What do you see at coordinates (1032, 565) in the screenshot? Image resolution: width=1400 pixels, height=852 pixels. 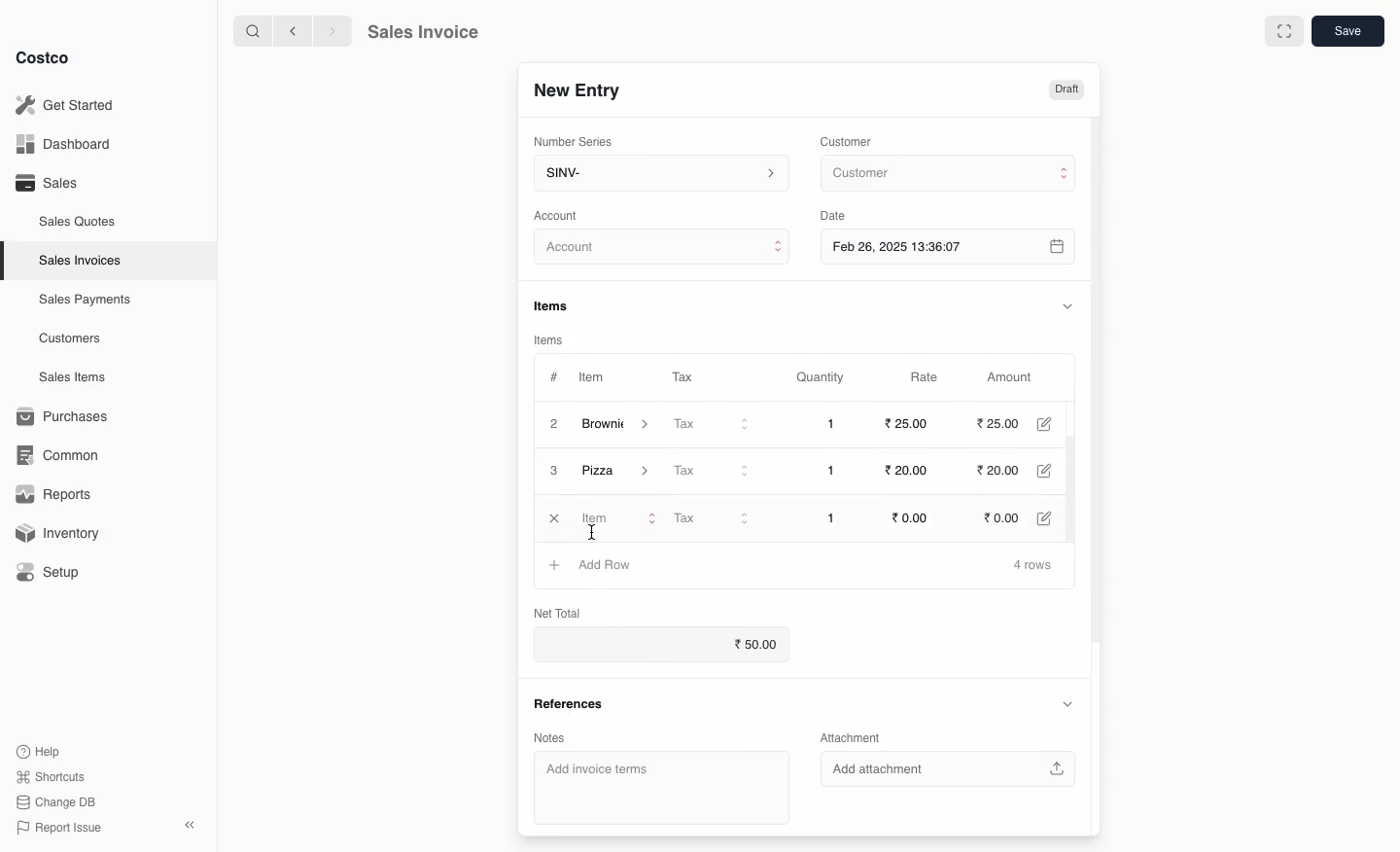 I see `4 rows` at bounding box center [1032, 565].